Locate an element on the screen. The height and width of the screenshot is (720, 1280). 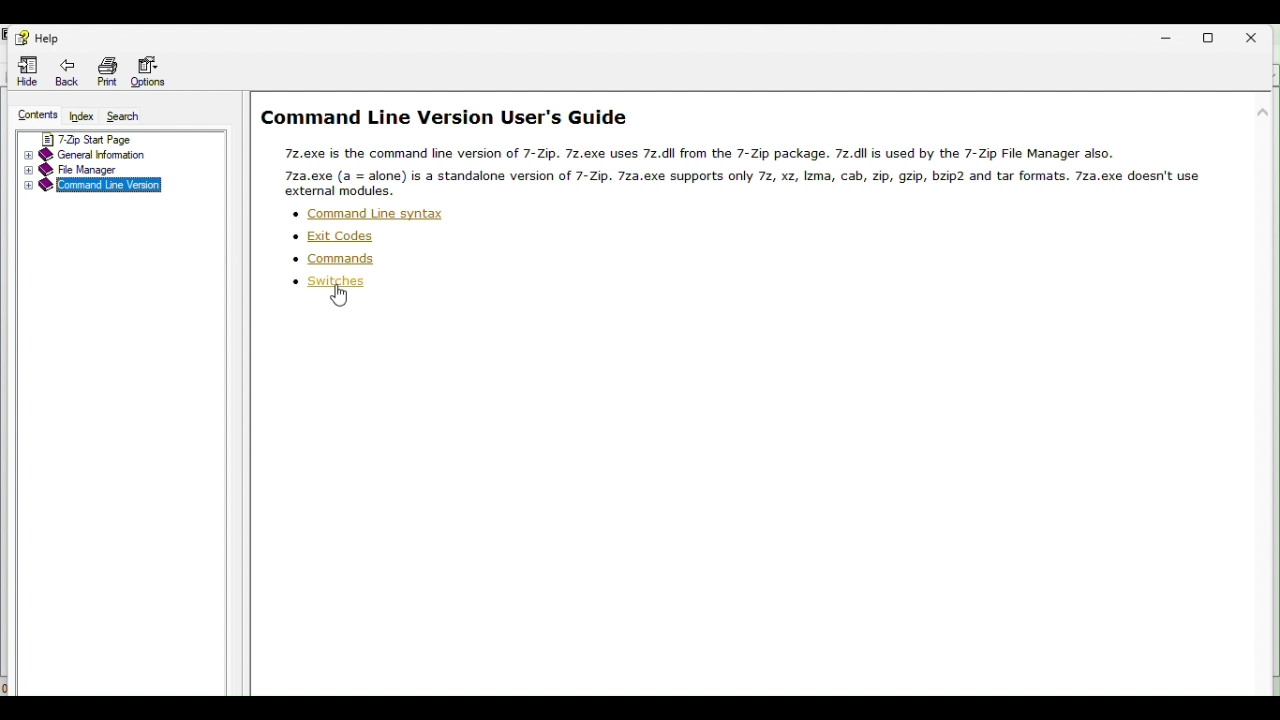
Close  is located at coordinates (1259, 35).